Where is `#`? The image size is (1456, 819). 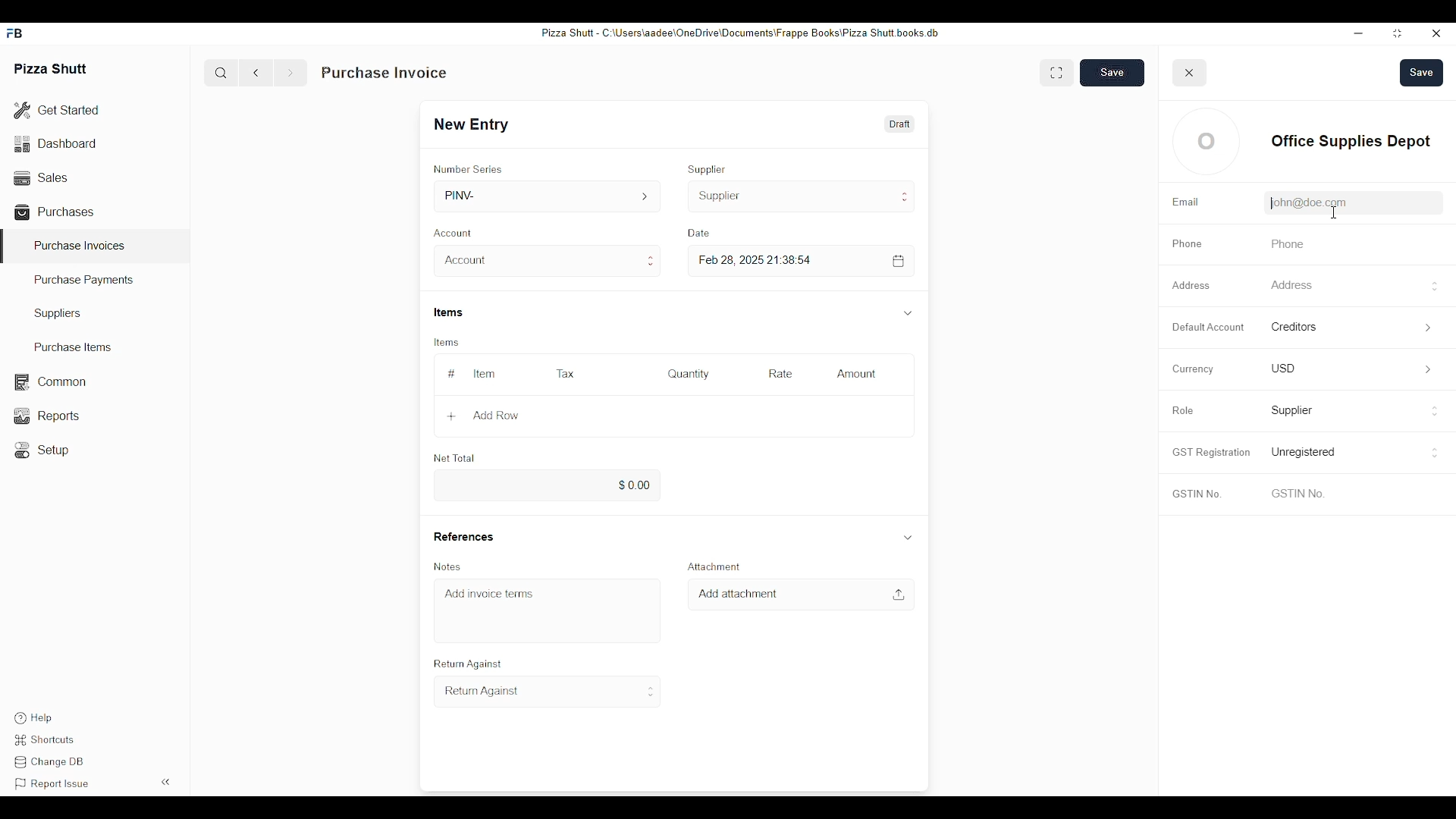
# is located at coordinates (452, 374).